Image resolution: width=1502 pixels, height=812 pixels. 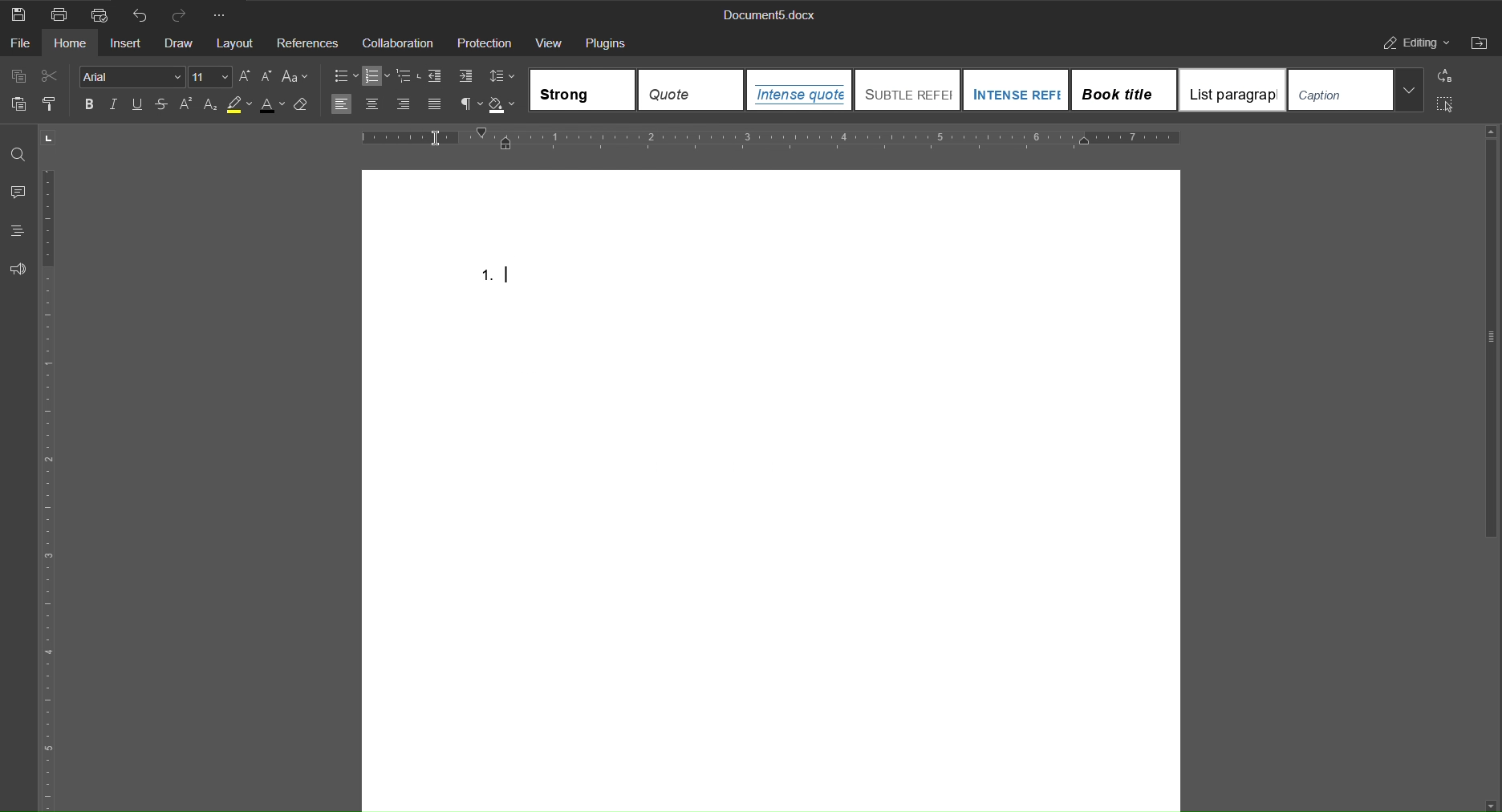 I want to click on non-printing characters, so click(x=469, y=104).